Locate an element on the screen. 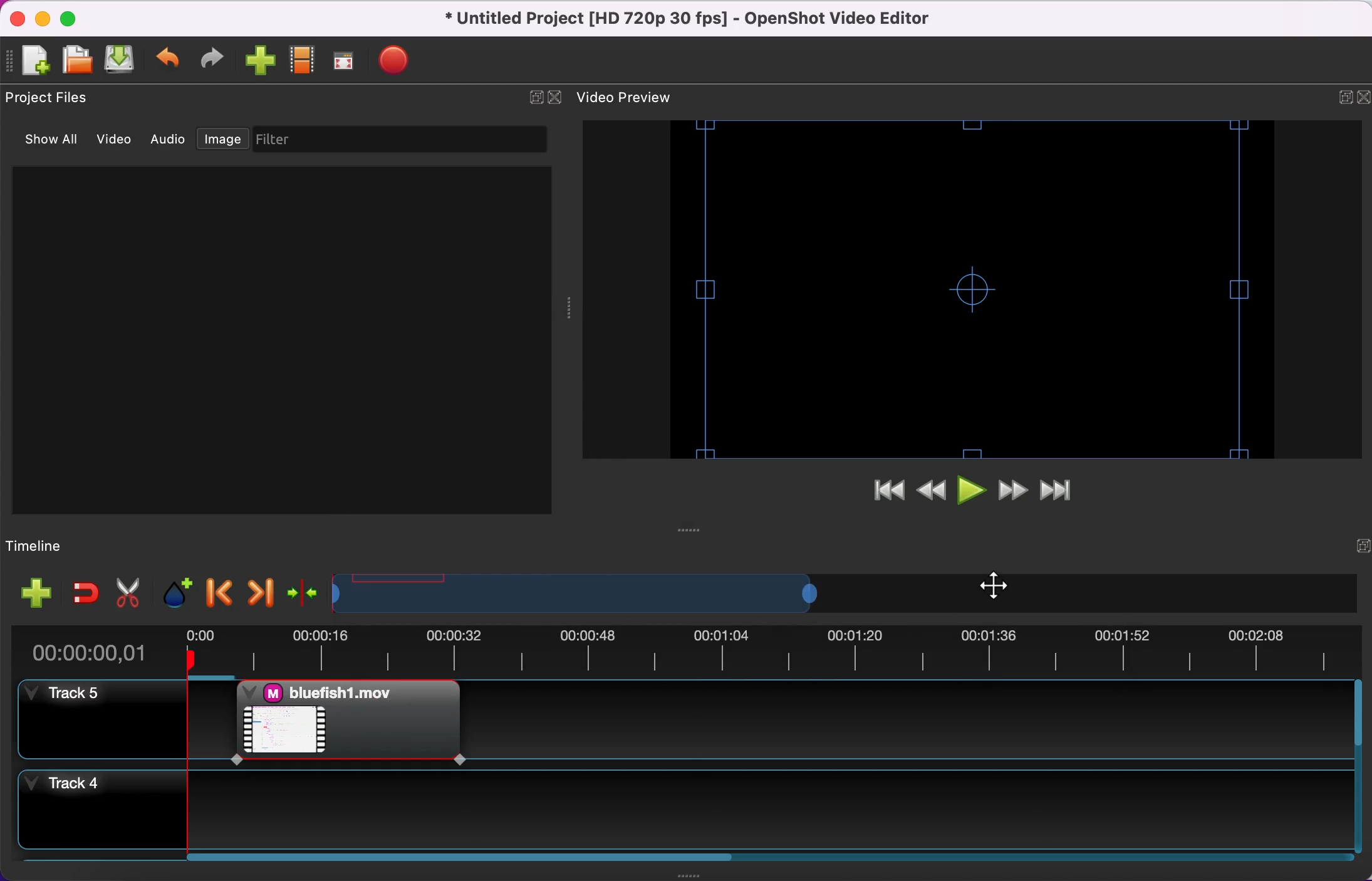  expand/hide is located at coordinates (1353, 547).